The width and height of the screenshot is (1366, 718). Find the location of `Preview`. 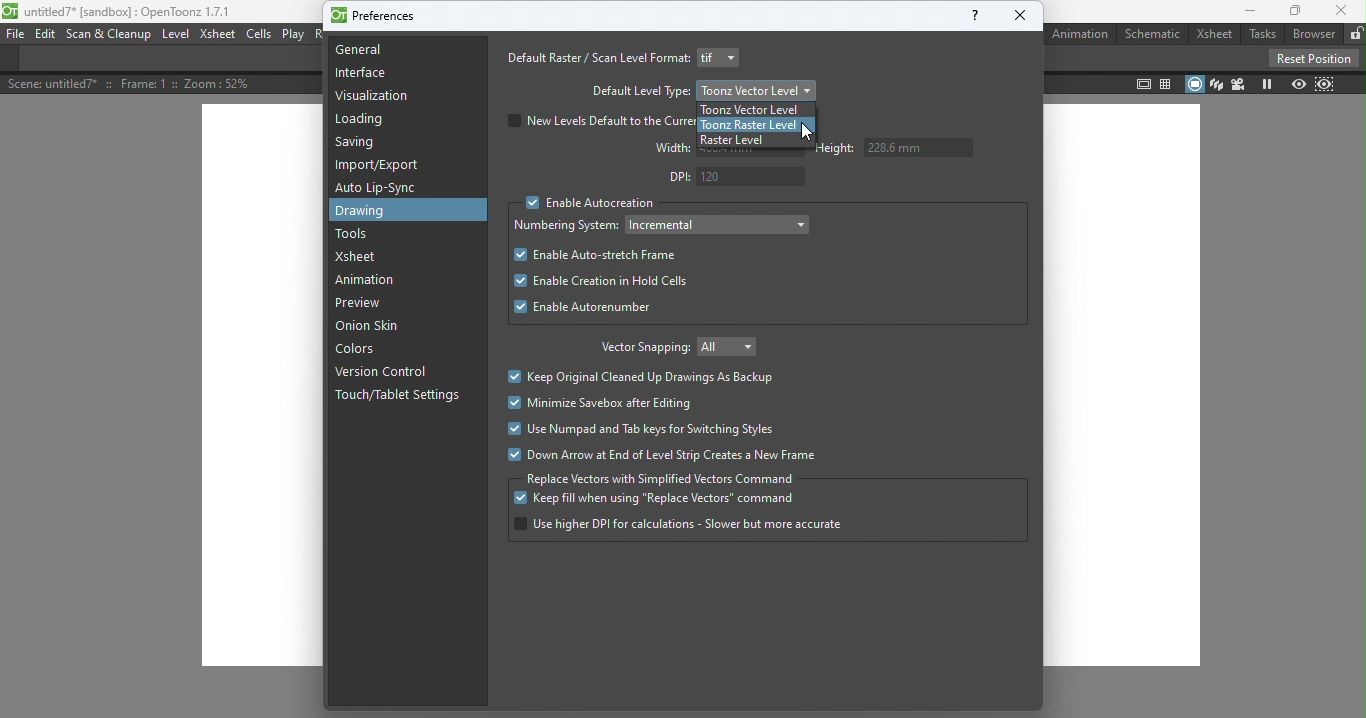

Preview is located at coordinates (358, 302).